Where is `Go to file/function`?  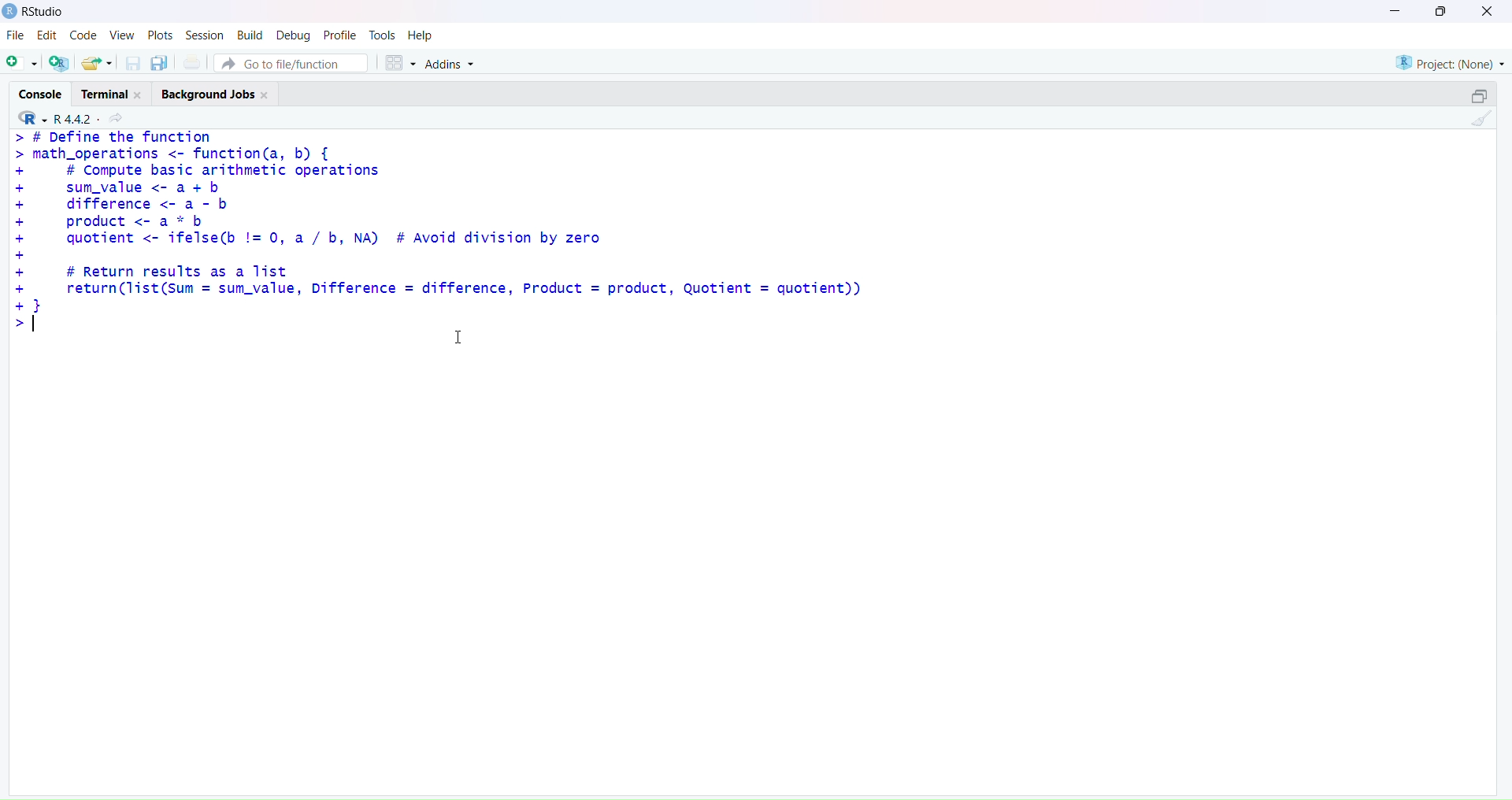 Go to file/function is located at coordinates (292, 62).